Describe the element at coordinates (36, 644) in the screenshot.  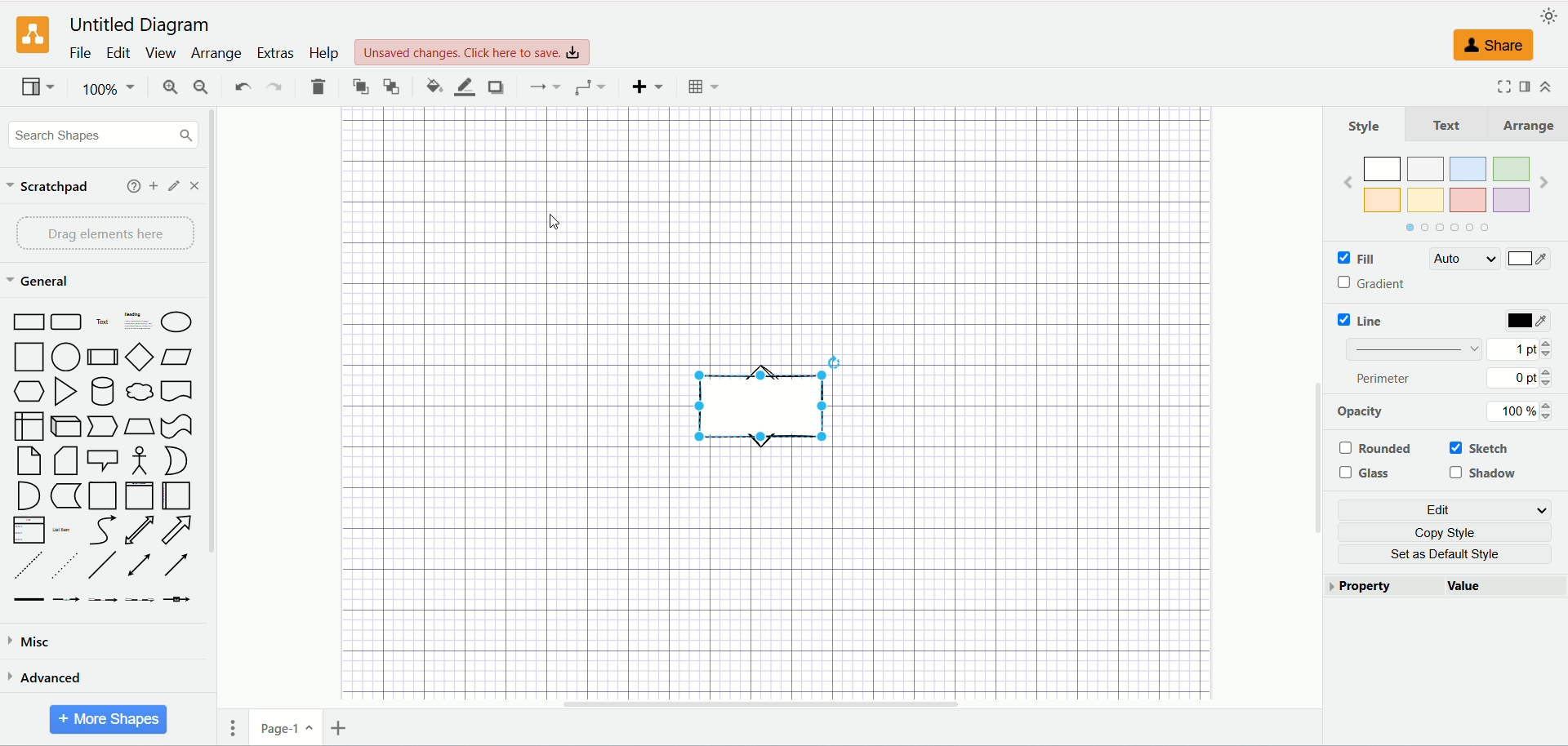
I see `miscadvanced` at that location.